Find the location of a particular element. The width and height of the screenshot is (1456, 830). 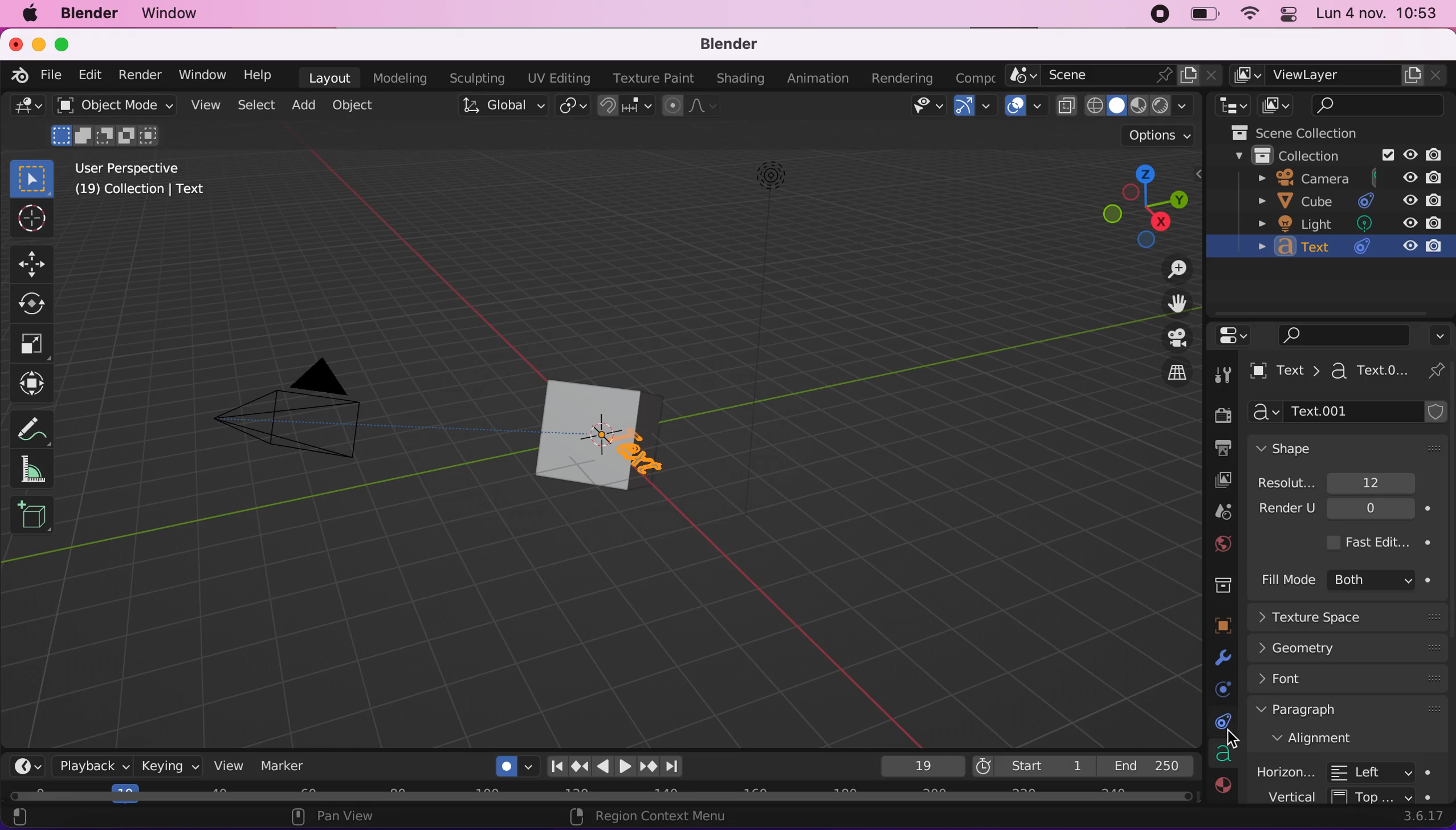

measure is located at coordinates (39, 468).